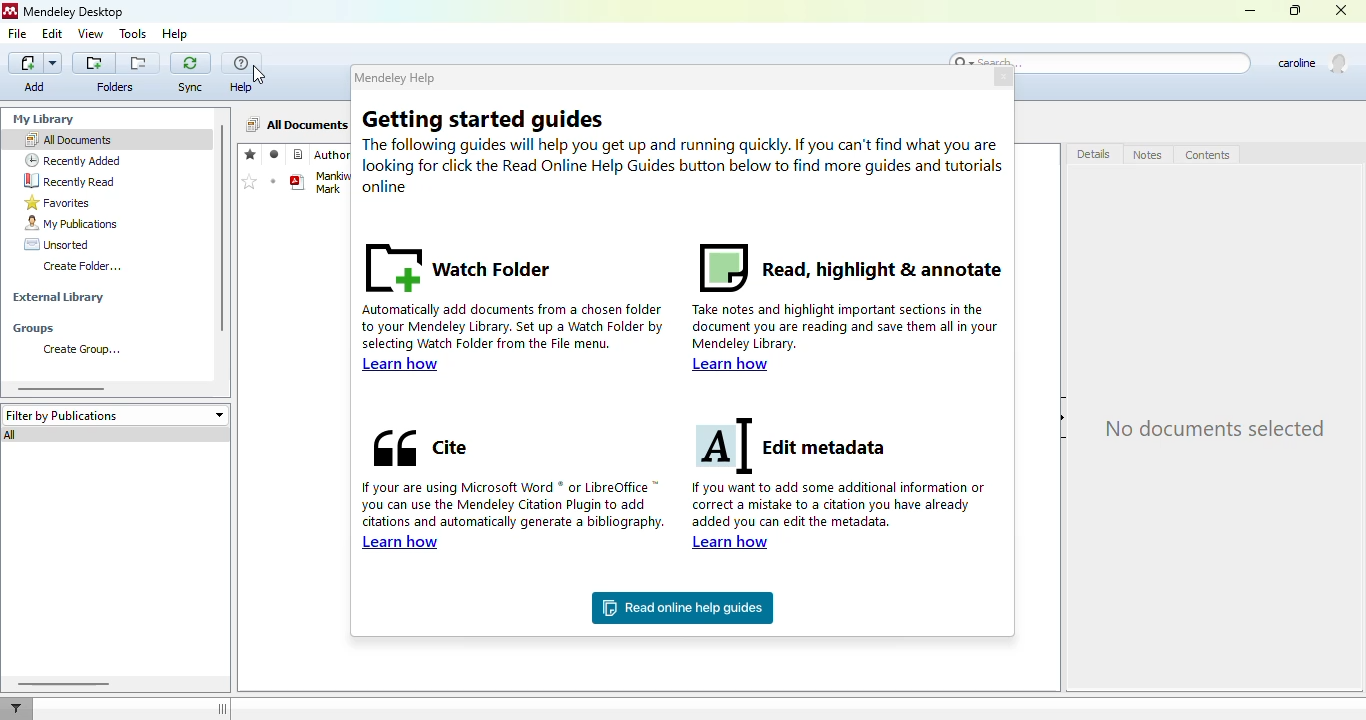  What do you see at coordinates (59, 297) in the screenshot?
I see `external library` at bounding box center [59, 297].